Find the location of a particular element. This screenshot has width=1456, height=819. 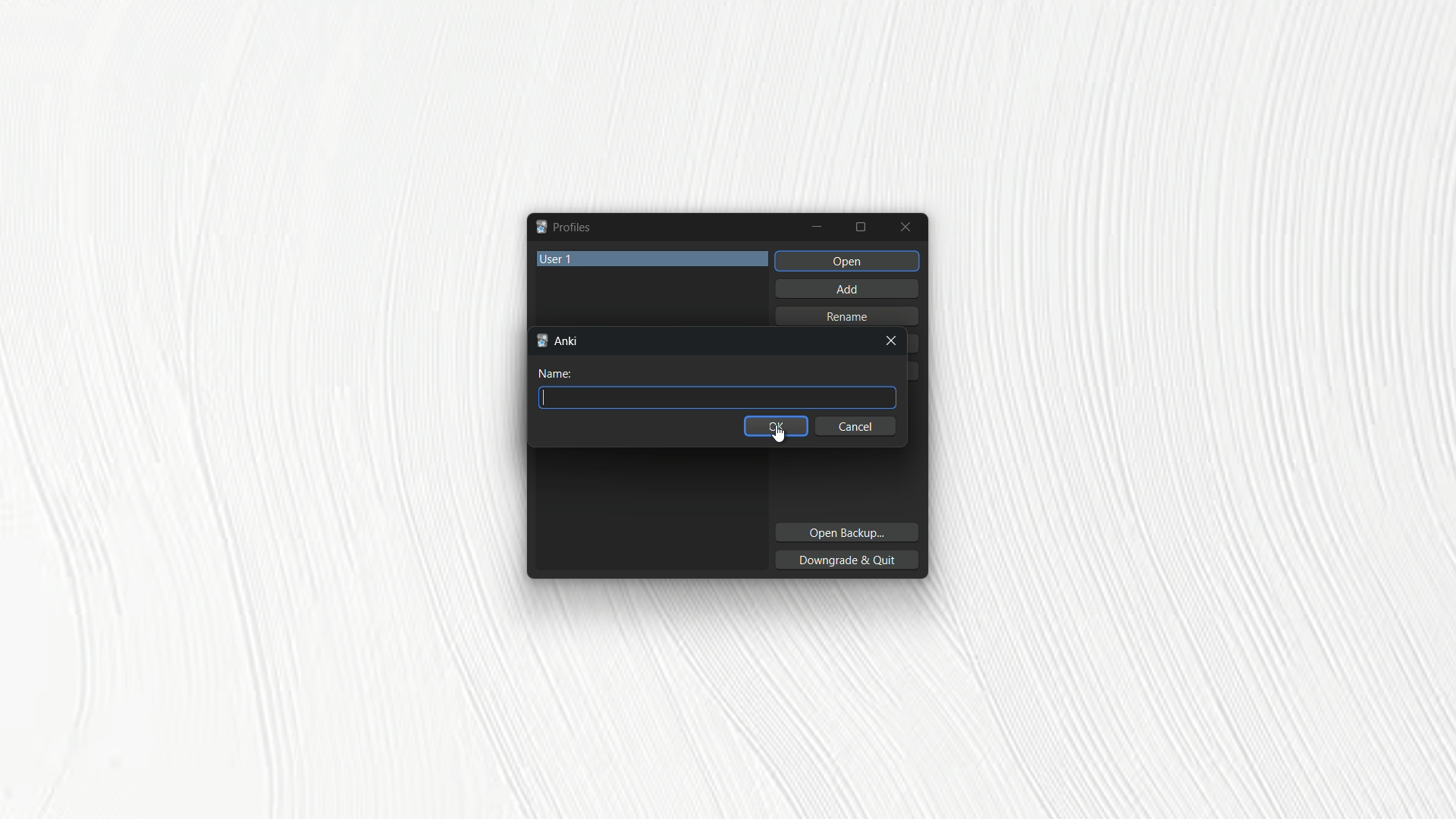

Anki is located at coordinates (560, 340).